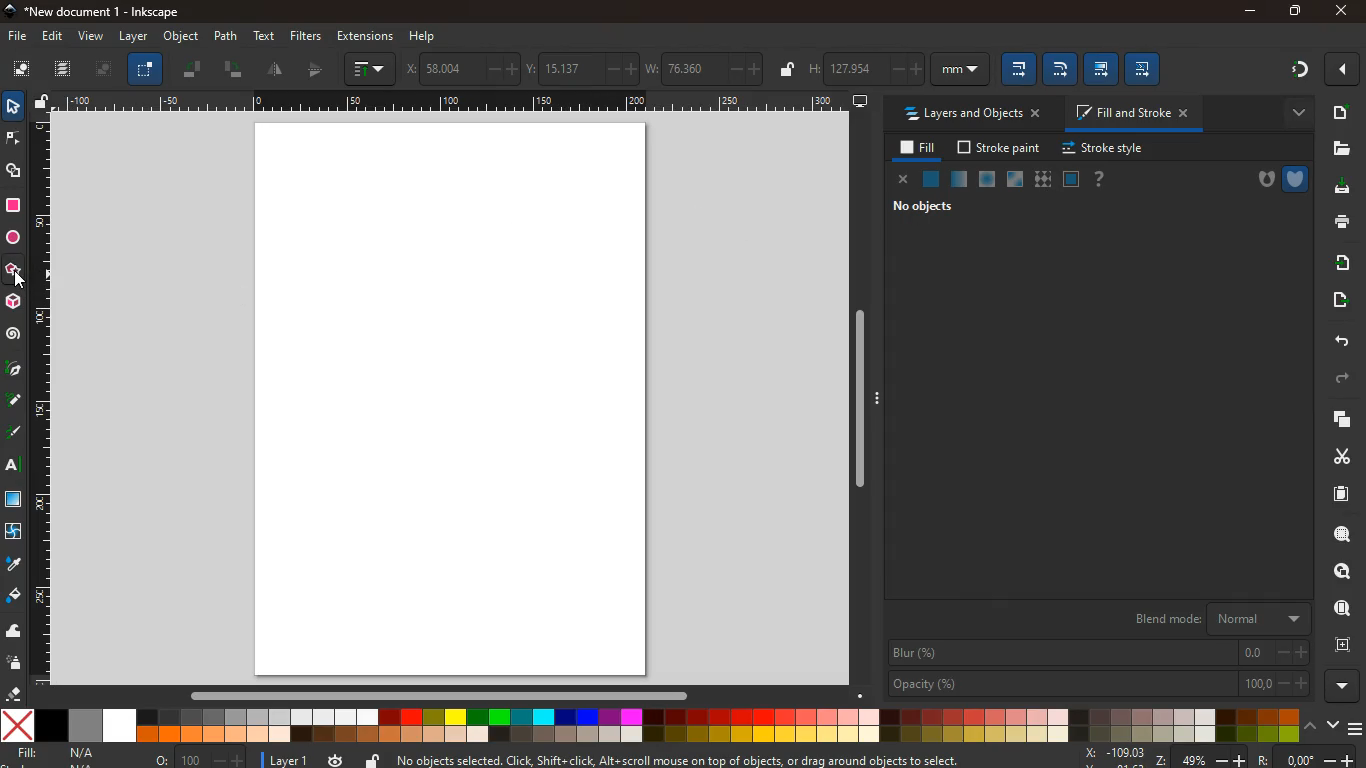 Image resolution: width=1366 pixels, height=768 pixels. Describe the element at coordinates (789, 71) in the screenshot. I see `unlock` at that location.